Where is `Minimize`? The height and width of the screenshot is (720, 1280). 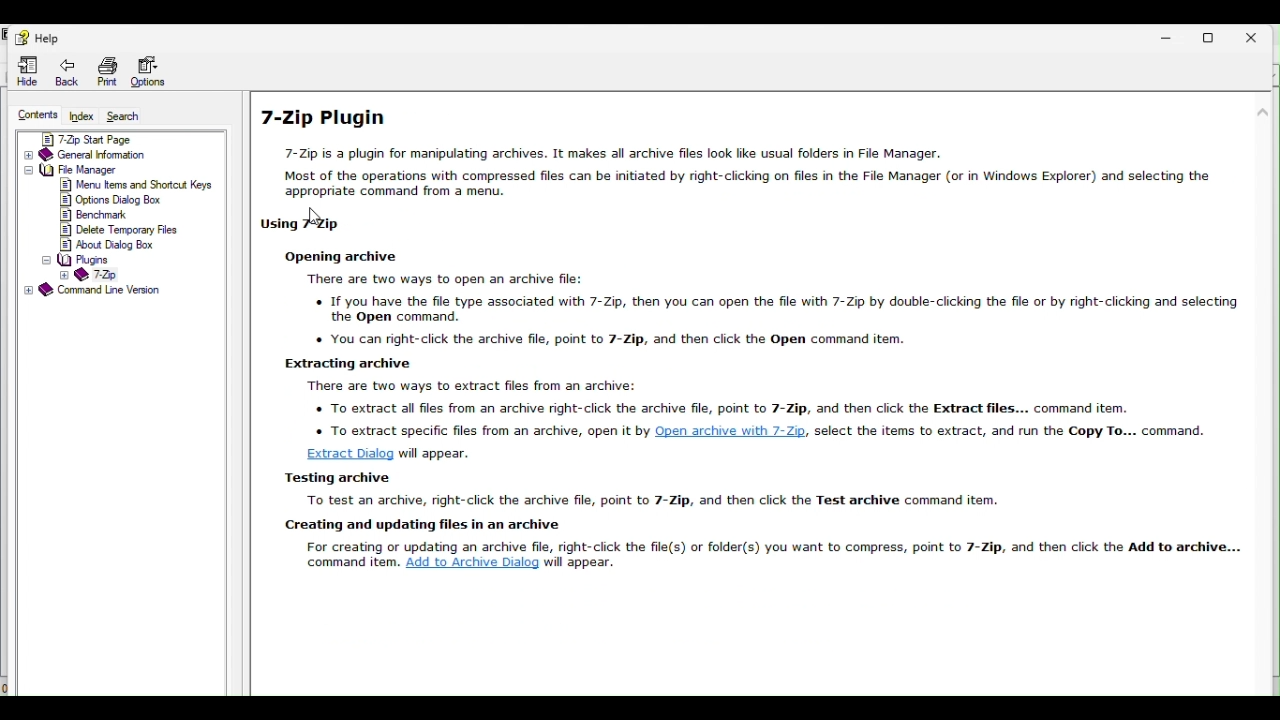
Minimize is located at coordinates (1168, 33).